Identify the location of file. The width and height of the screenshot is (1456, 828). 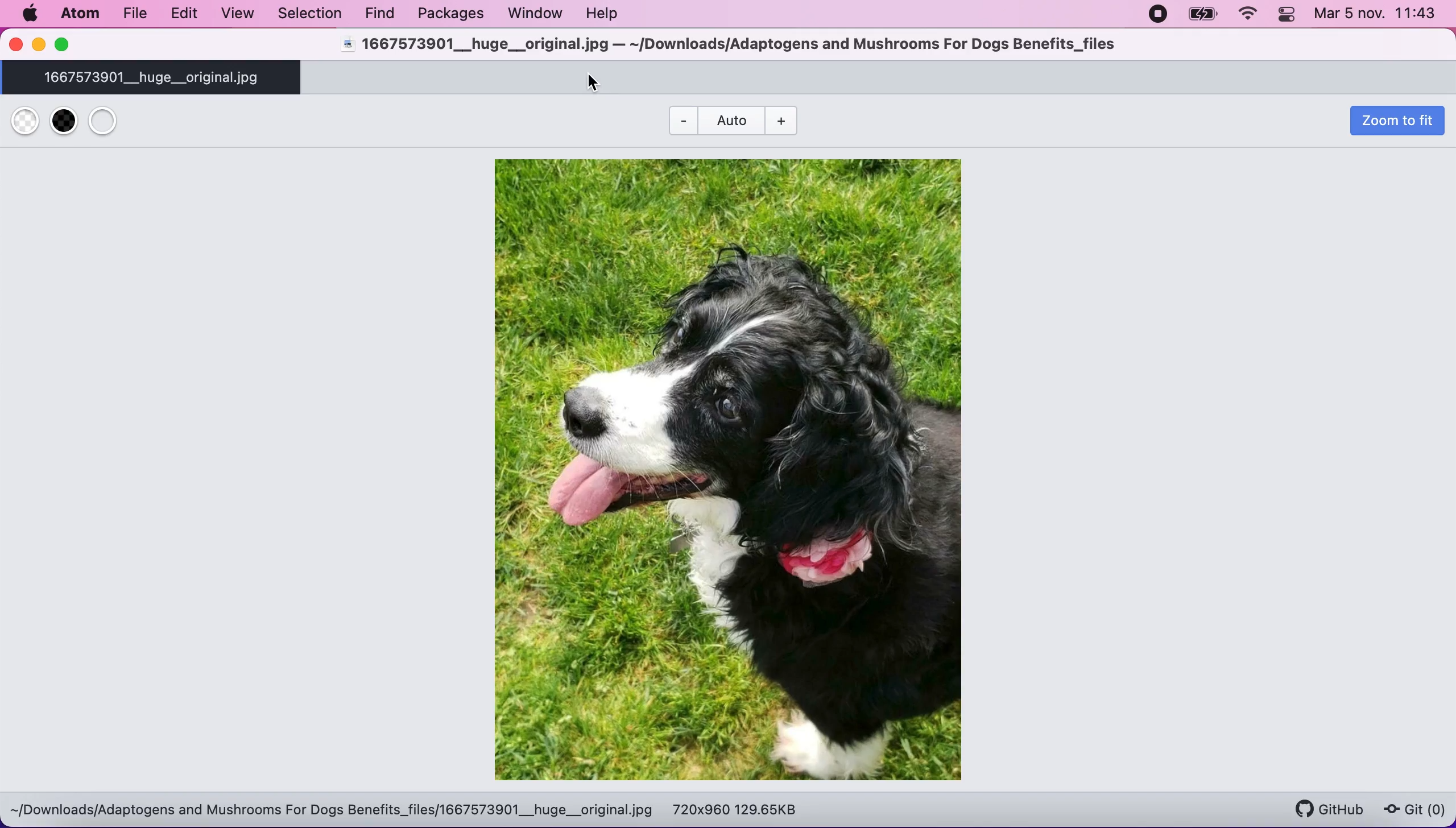
(134, 15).